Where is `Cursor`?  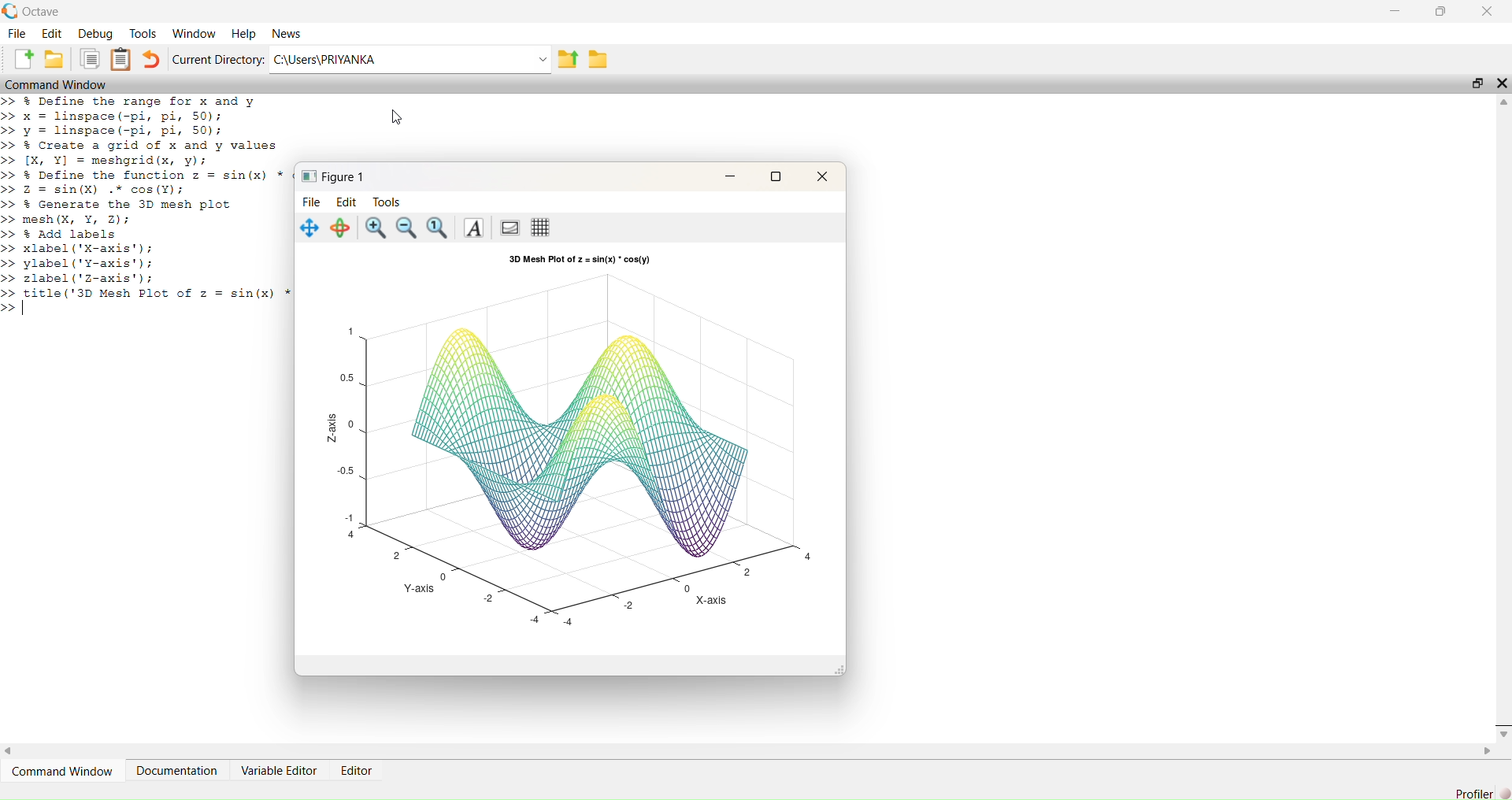
Cursor is located at coordinates (391, 118).